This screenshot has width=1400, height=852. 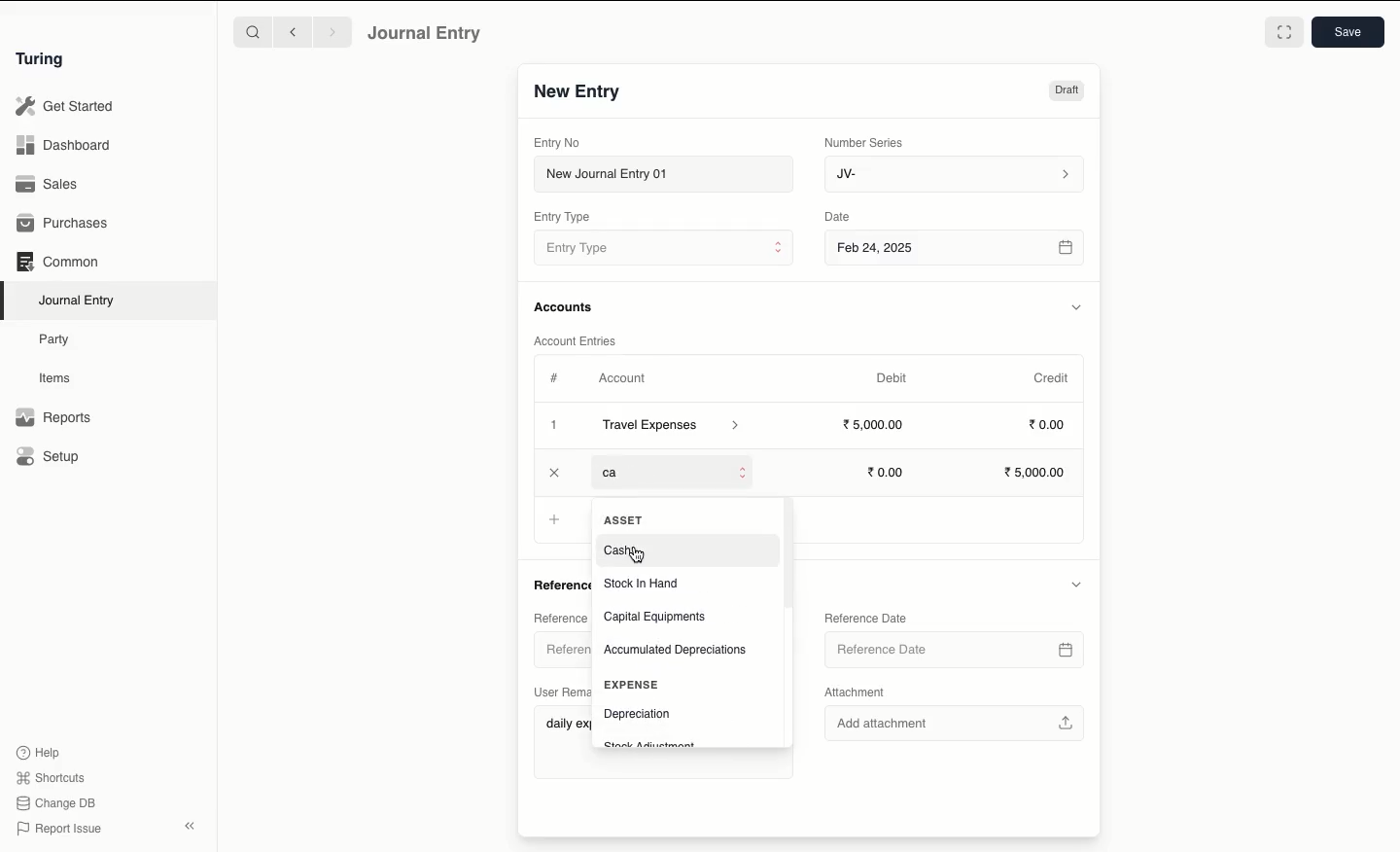 I want to click on Add attachment, so click(x=956, y=720).